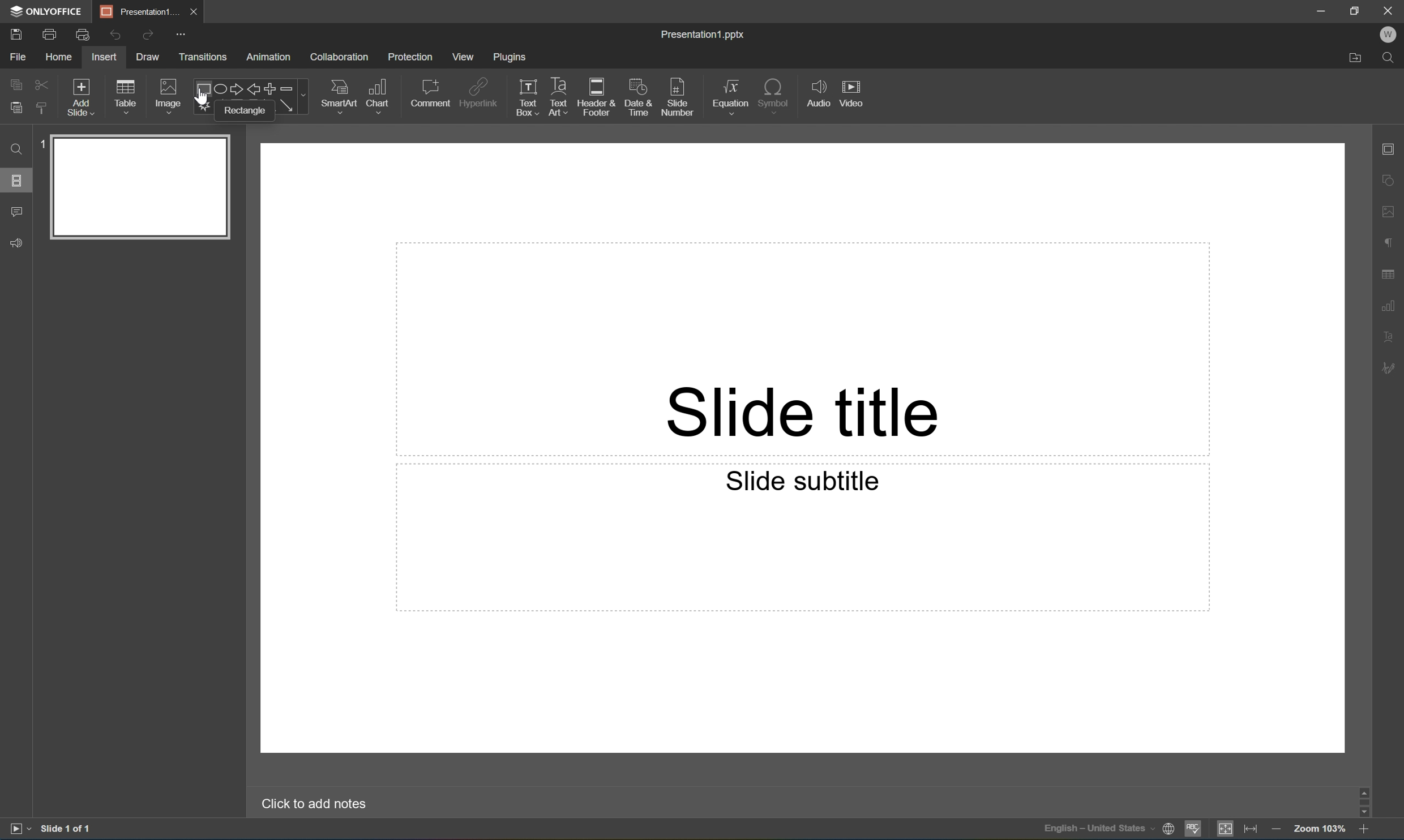  What do you see at coordinates (432, 93) in the screenshot?
I see `Comment` at bounding box center [432, 93].